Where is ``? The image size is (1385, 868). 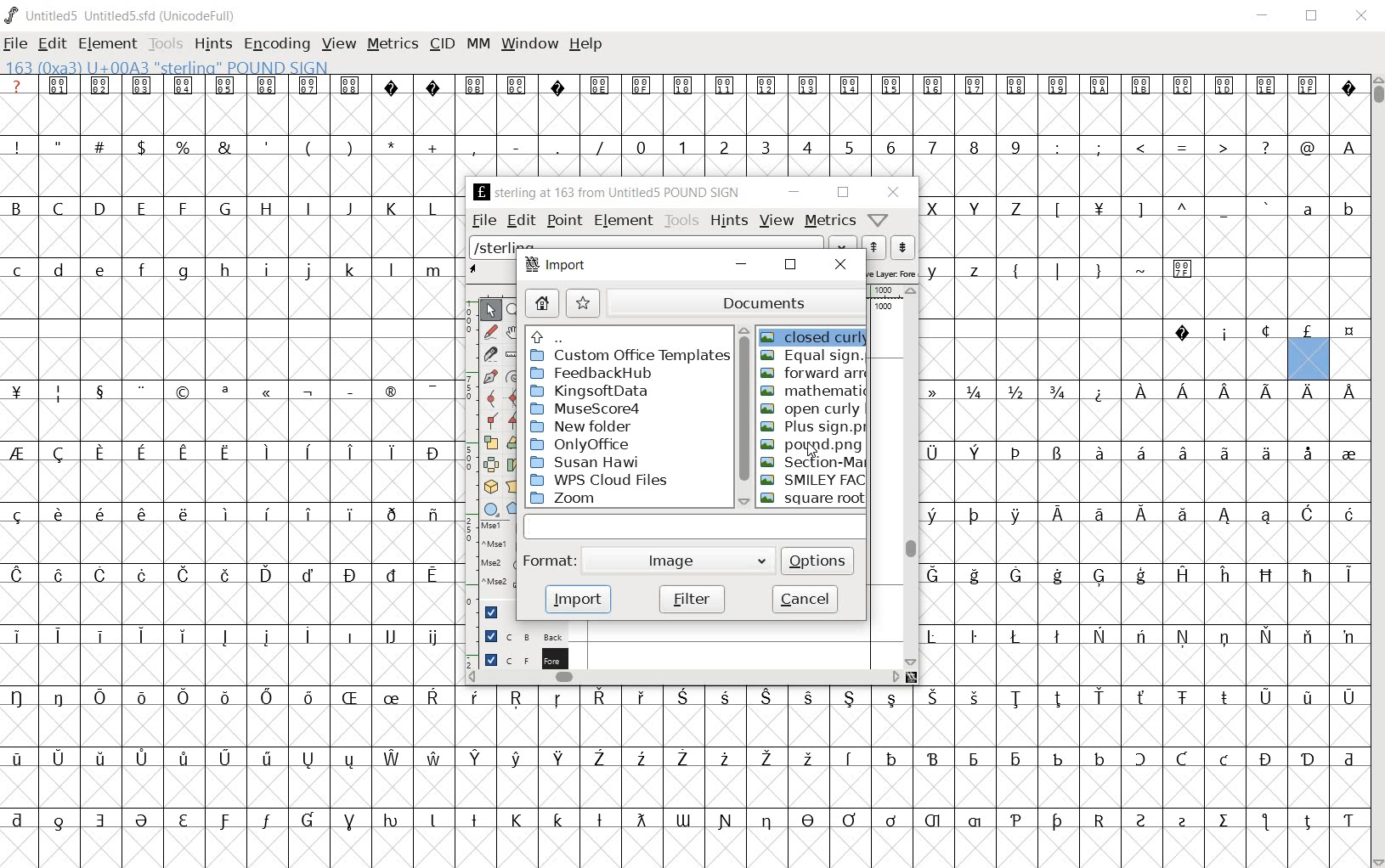
 is located at coordinates (181, 514).